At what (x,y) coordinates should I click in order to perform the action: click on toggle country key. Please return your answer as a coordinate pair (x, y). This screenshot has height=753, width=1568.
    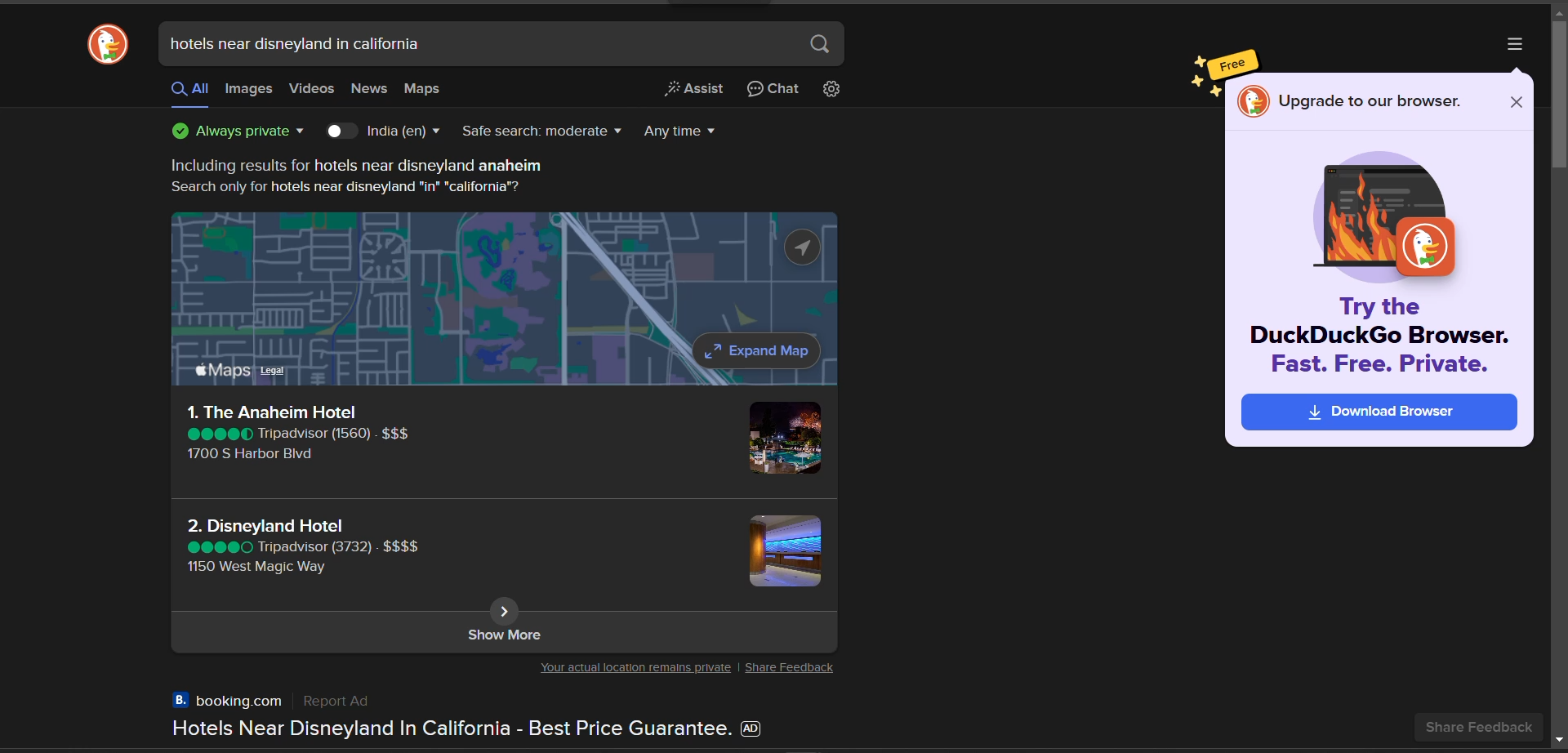
    Looking at the image, I should click on (341, 132).